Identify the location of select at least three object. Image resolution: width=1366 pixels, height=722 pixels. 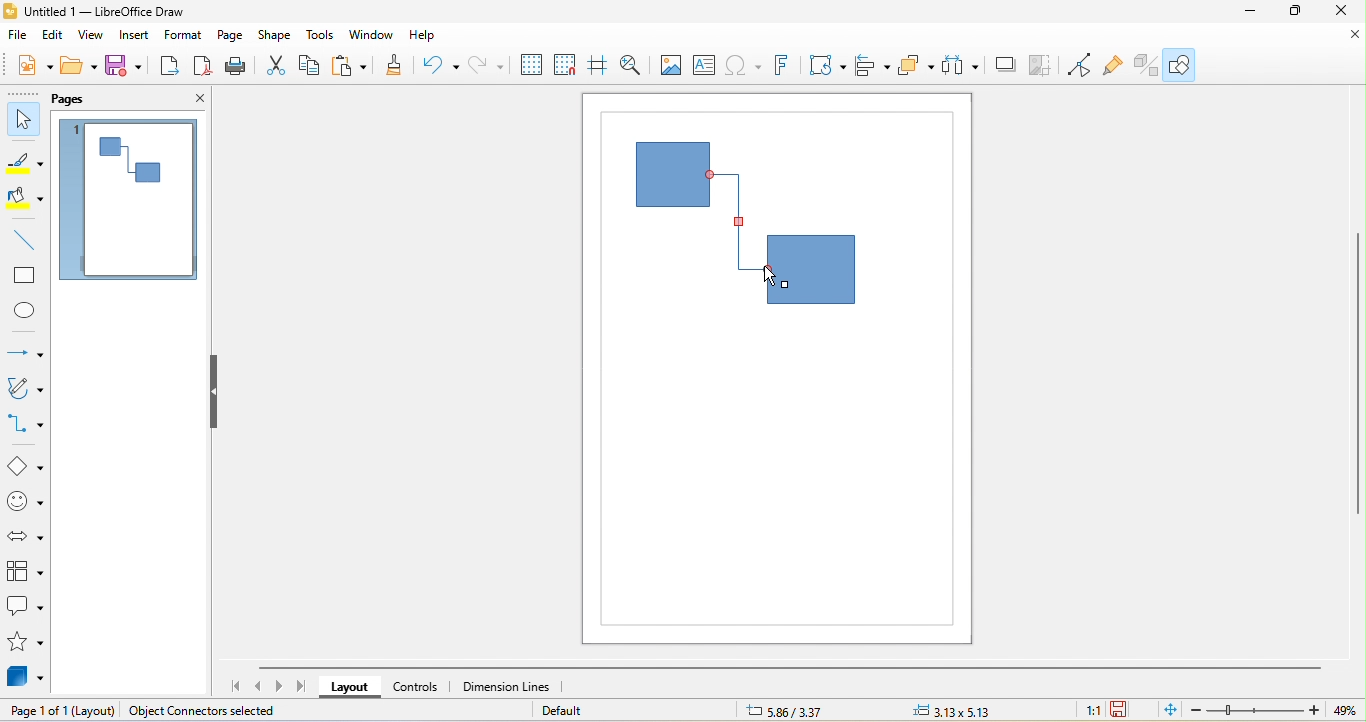
(962, 67).